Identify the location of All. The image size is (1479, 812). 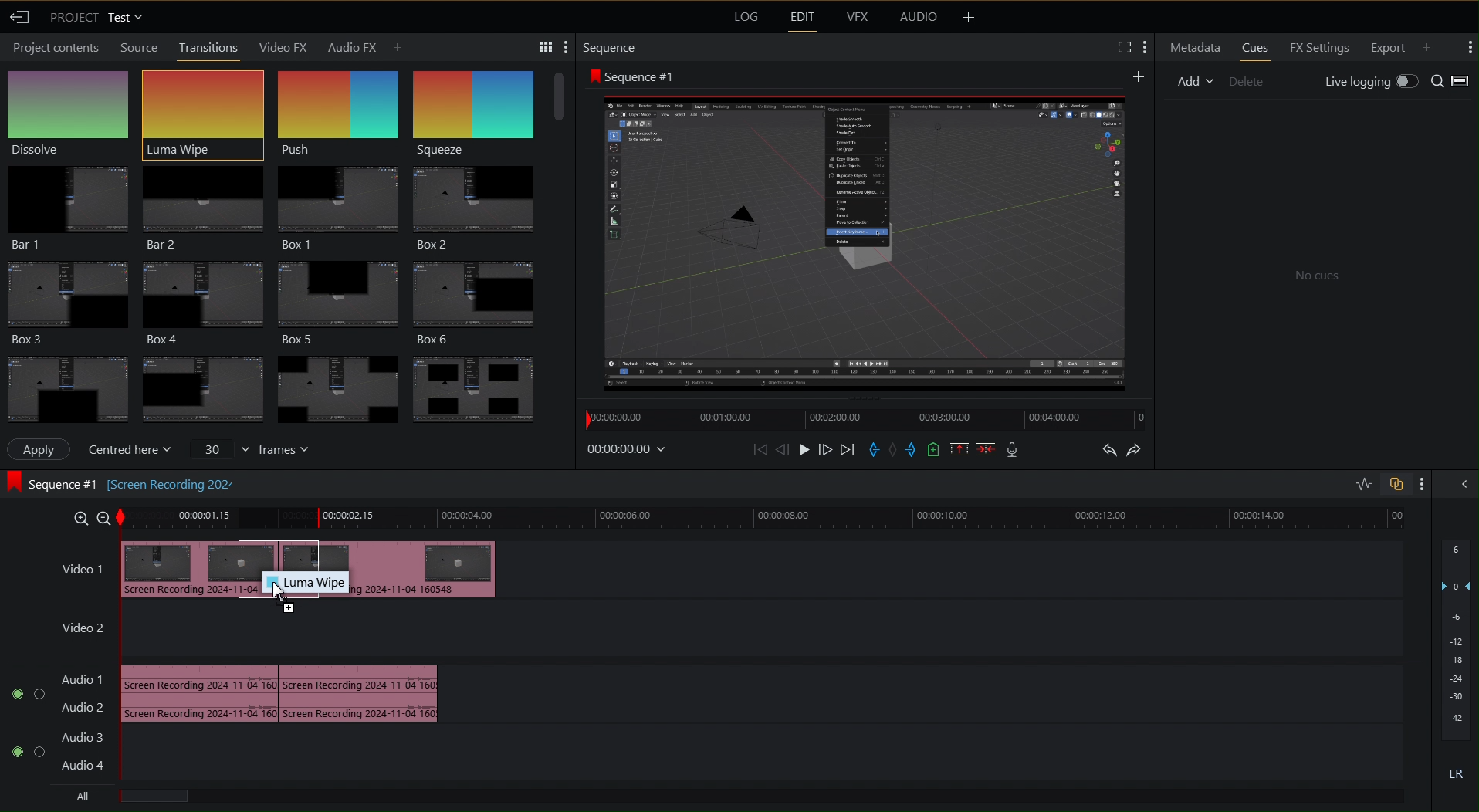
(81, 794).